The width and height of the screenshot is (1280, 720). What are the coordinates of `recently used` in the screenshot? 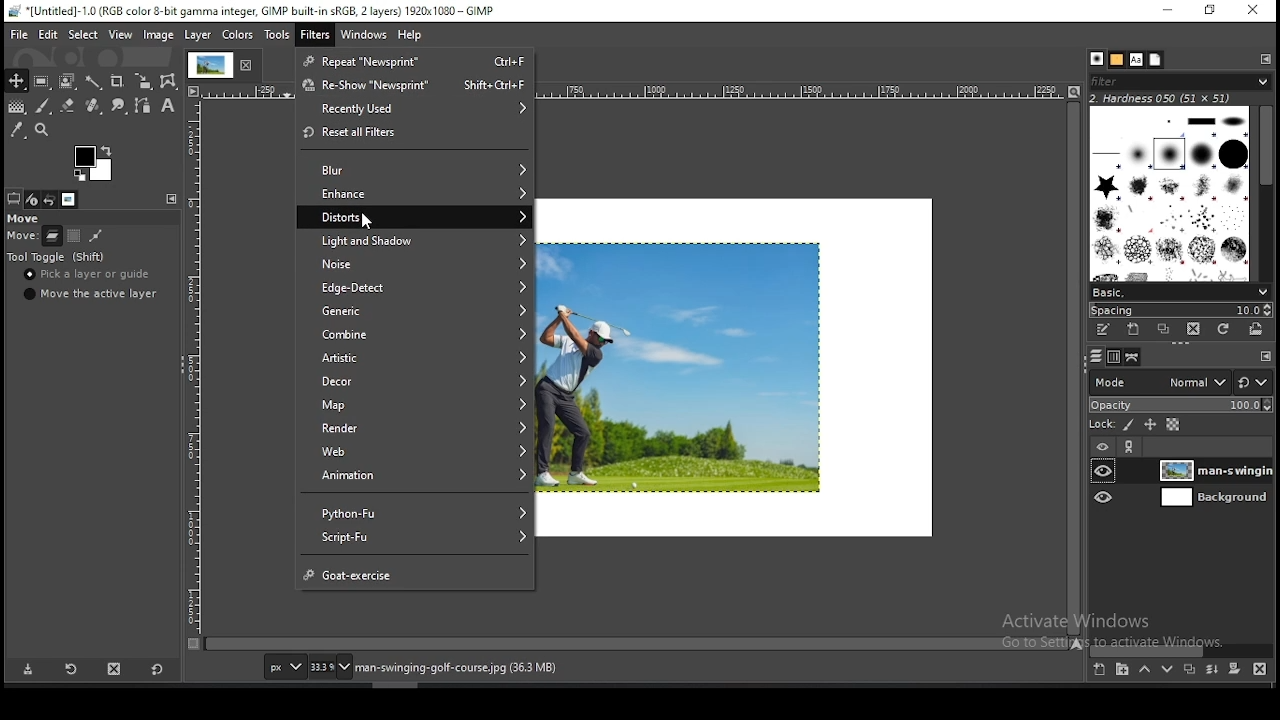 It's located at (414, 109).